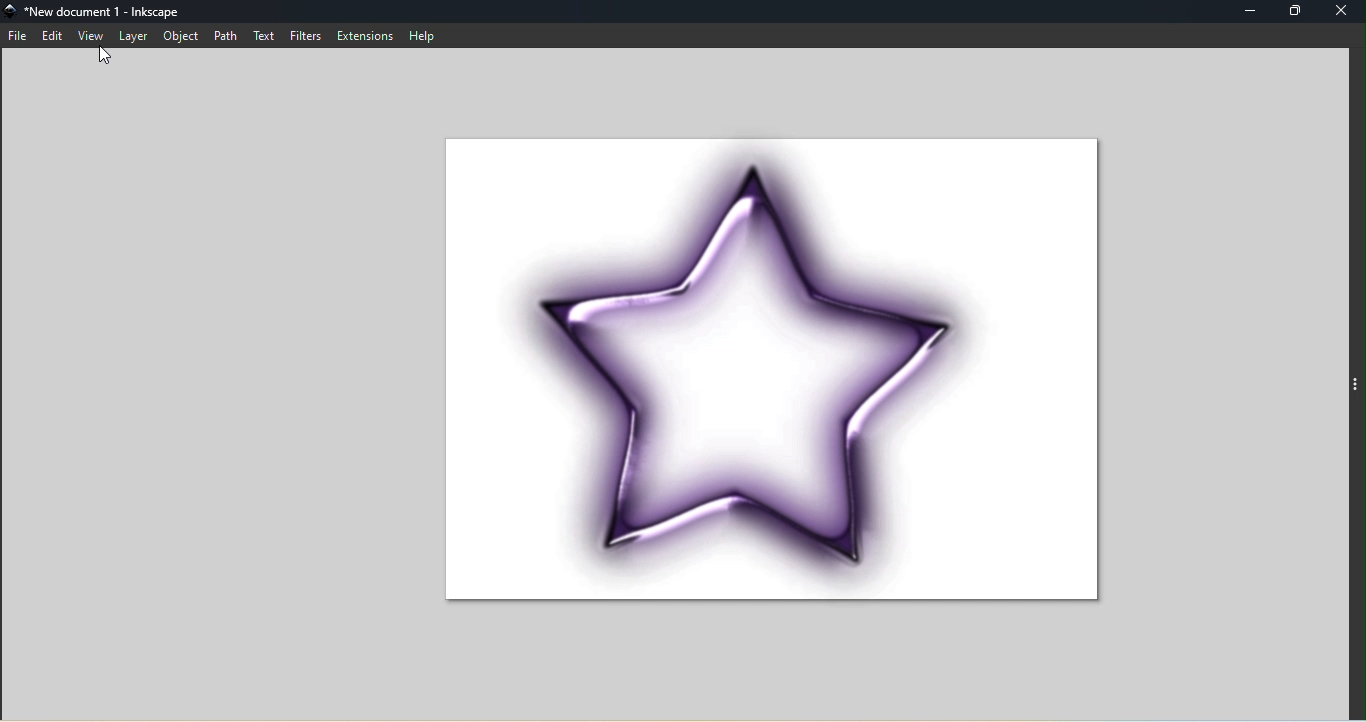 This screenshot has width=1366, height=722. I want to click on Object, so click(180, 35).